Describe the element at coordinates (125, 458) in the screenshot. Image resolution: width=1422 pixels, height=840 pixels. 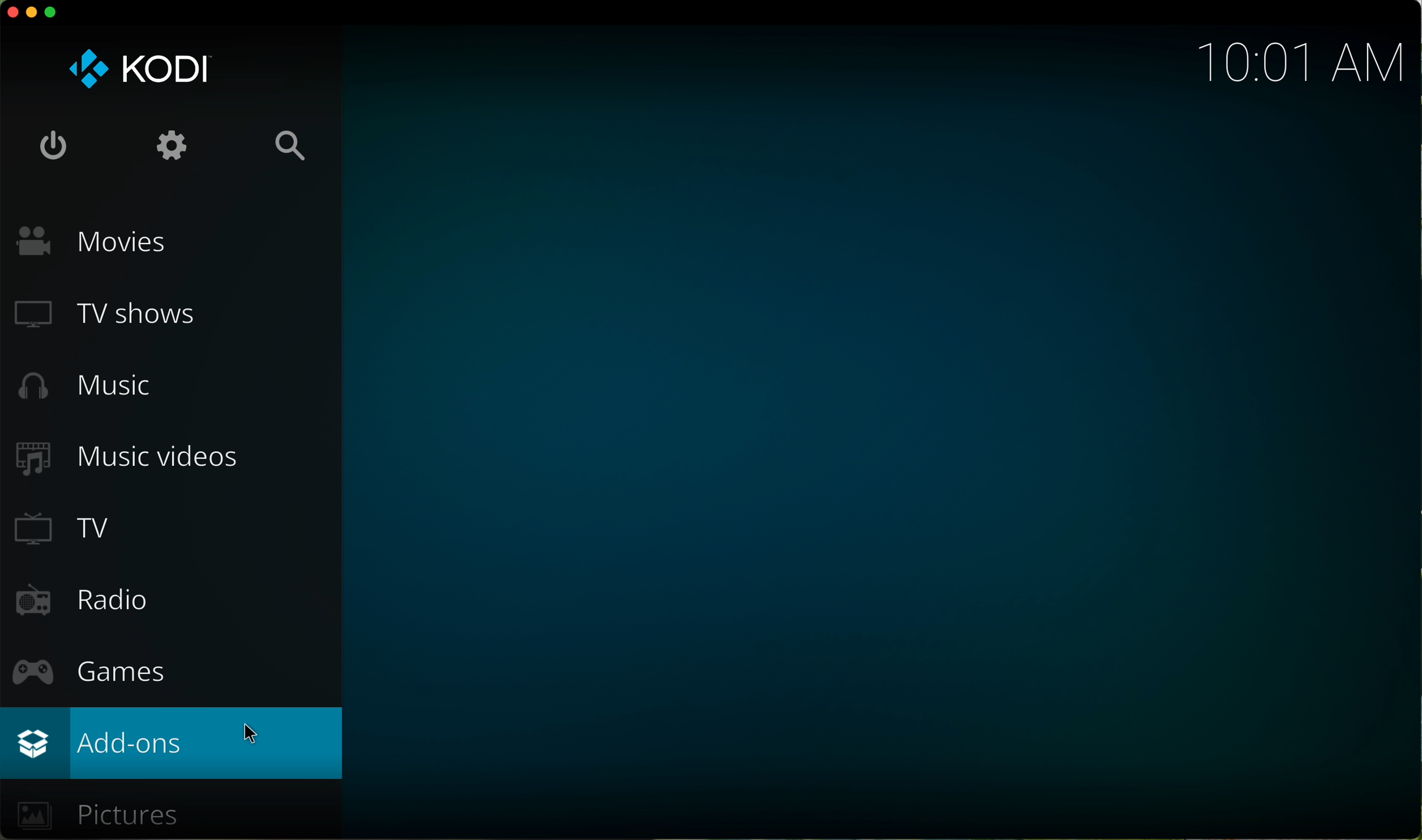
I see `music videos` at that location.